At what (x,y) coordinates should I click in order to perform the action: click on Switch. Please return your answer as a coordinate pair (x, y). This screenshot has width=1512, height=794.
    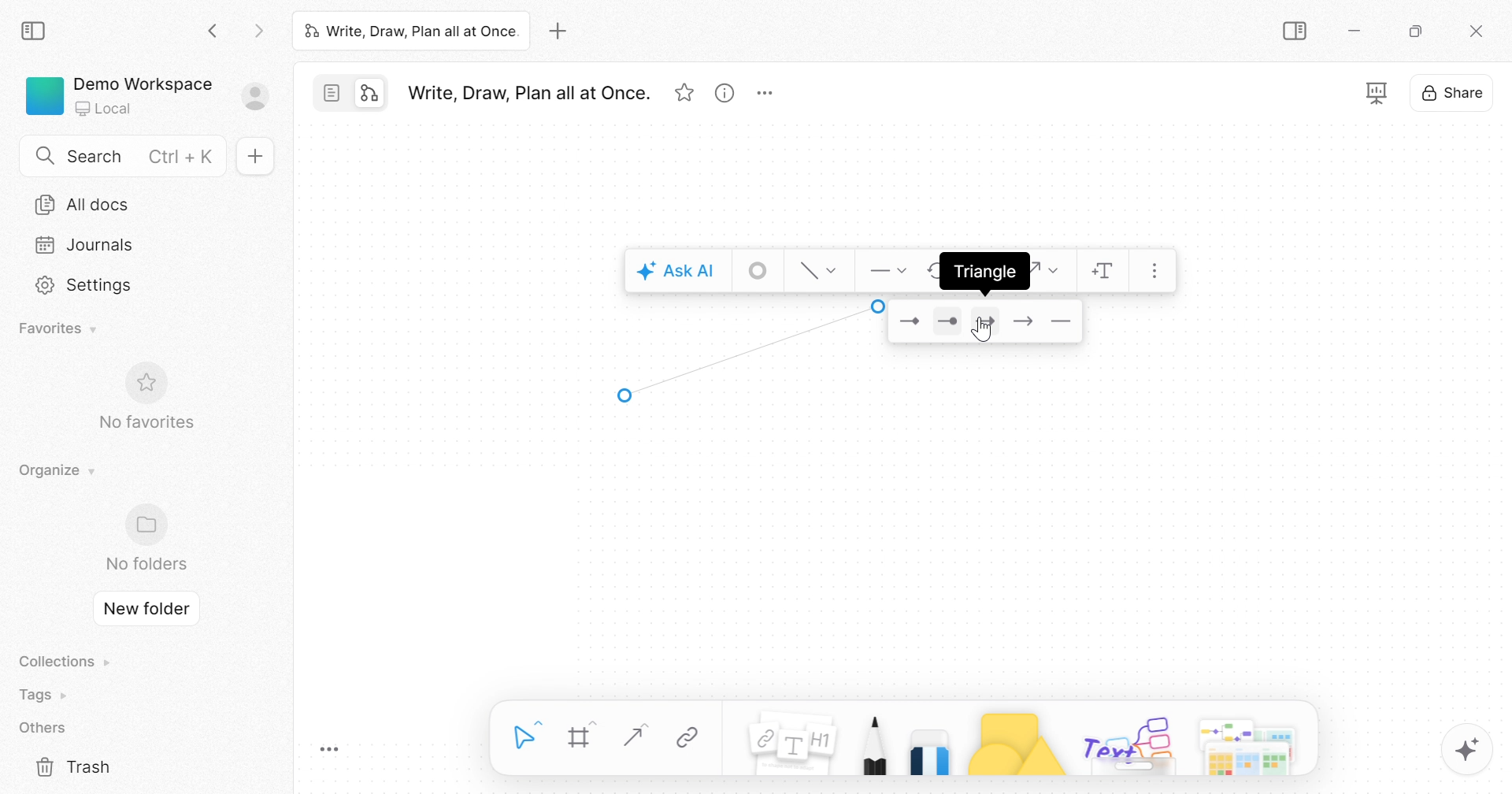
    Looking at the image, I should click on (355, 95).